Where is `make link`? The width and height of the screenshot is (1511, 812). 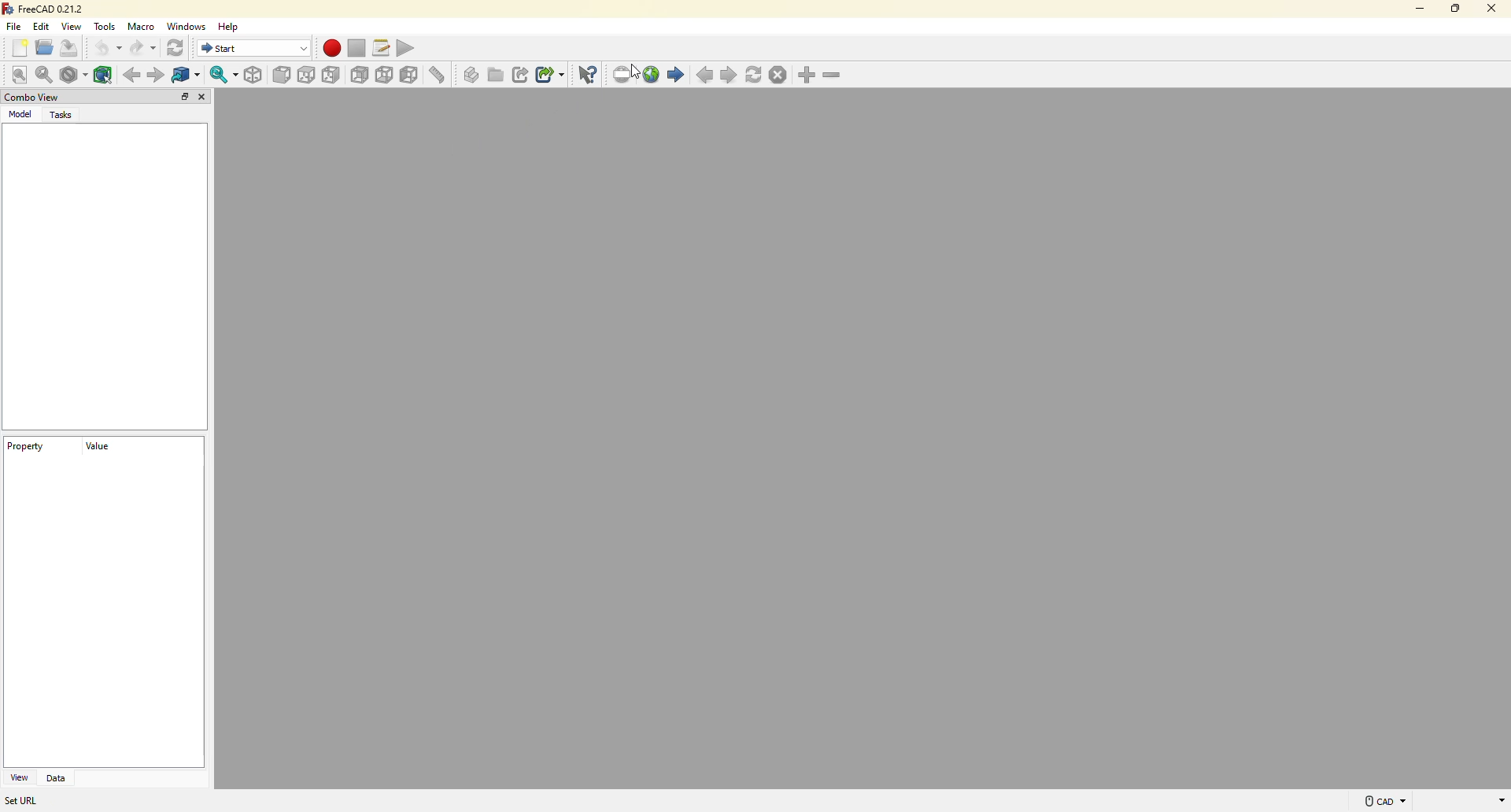 make link is located at coordinates (522, 75).